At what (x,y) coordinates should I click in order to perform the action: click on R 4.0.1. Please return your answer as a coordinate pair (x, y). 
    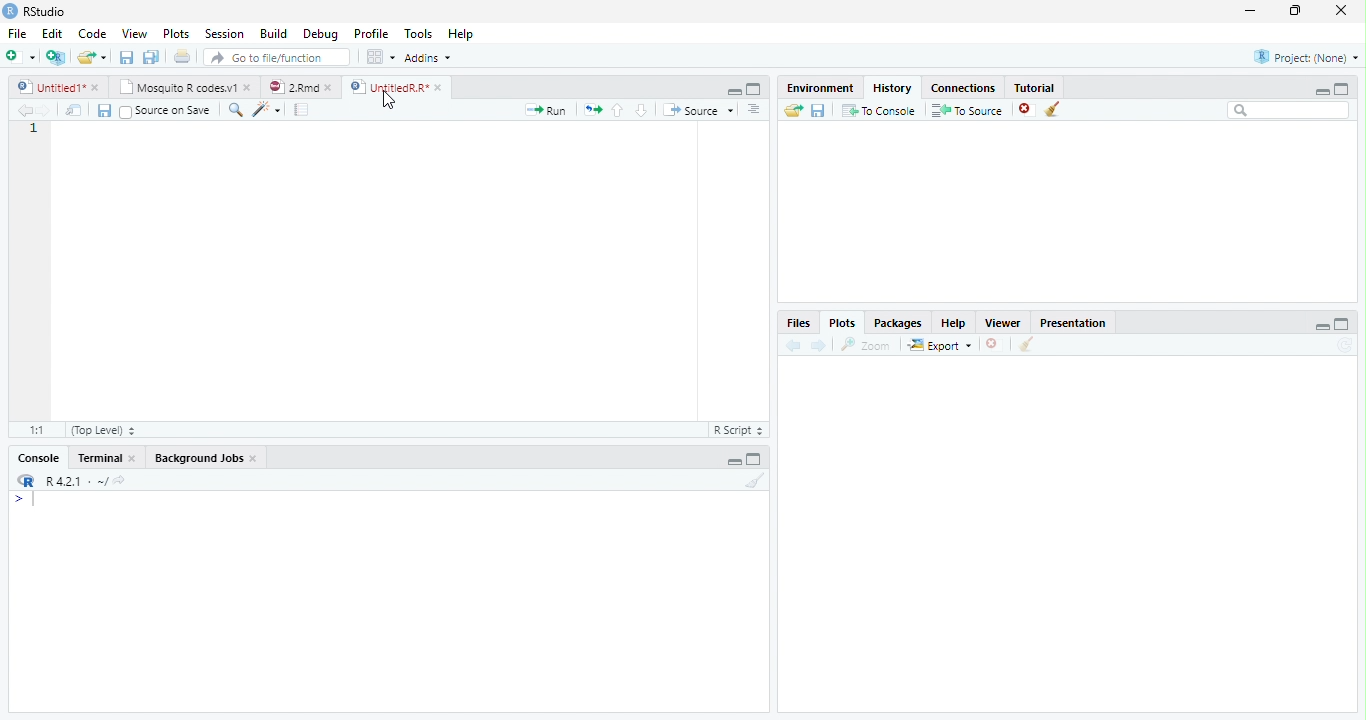
    Looking at the image, I should click on (78, 479).